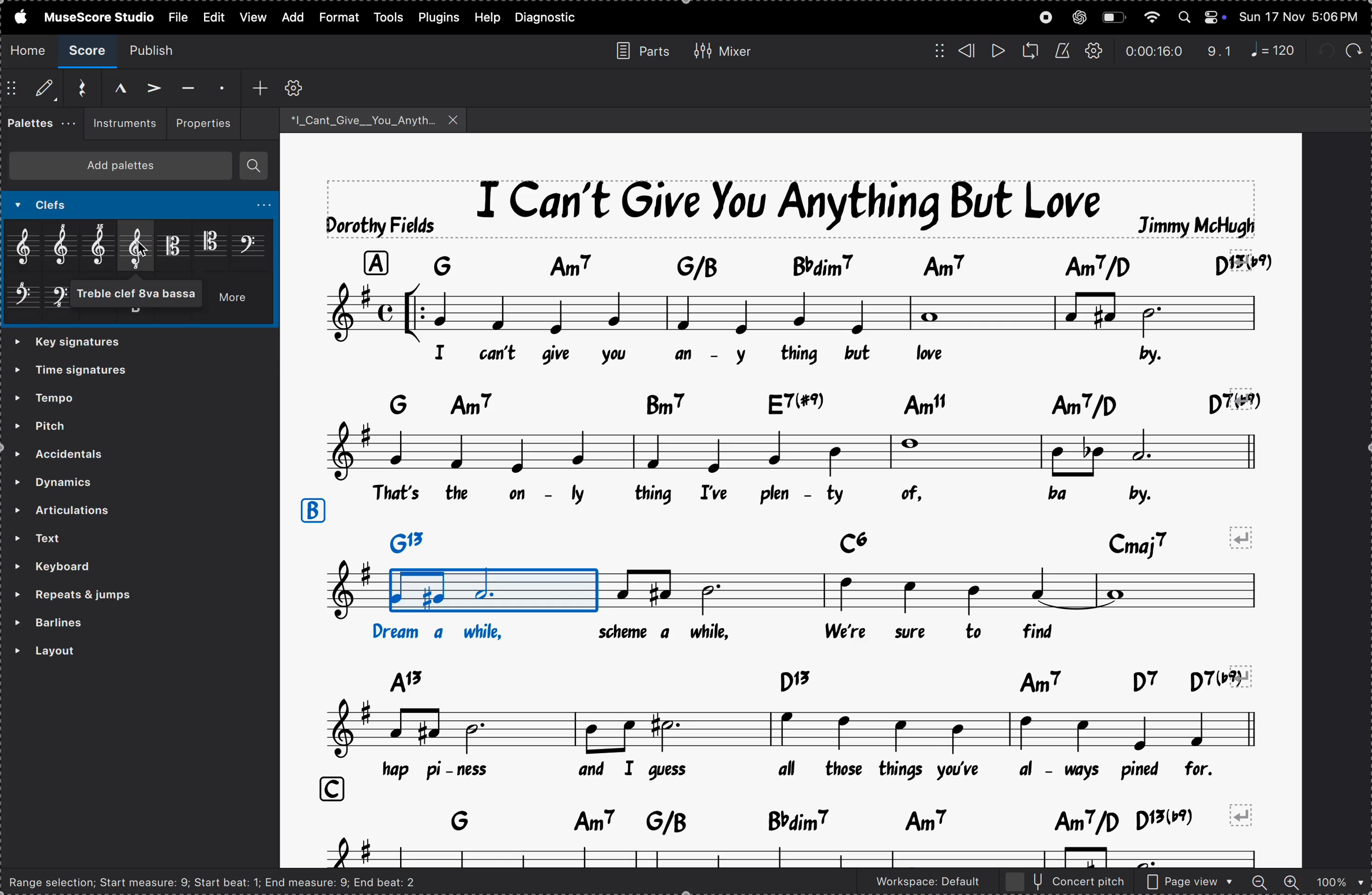  Describe the element at coordinates (1190, 882) in the screenshot. I see `page view` at that location.